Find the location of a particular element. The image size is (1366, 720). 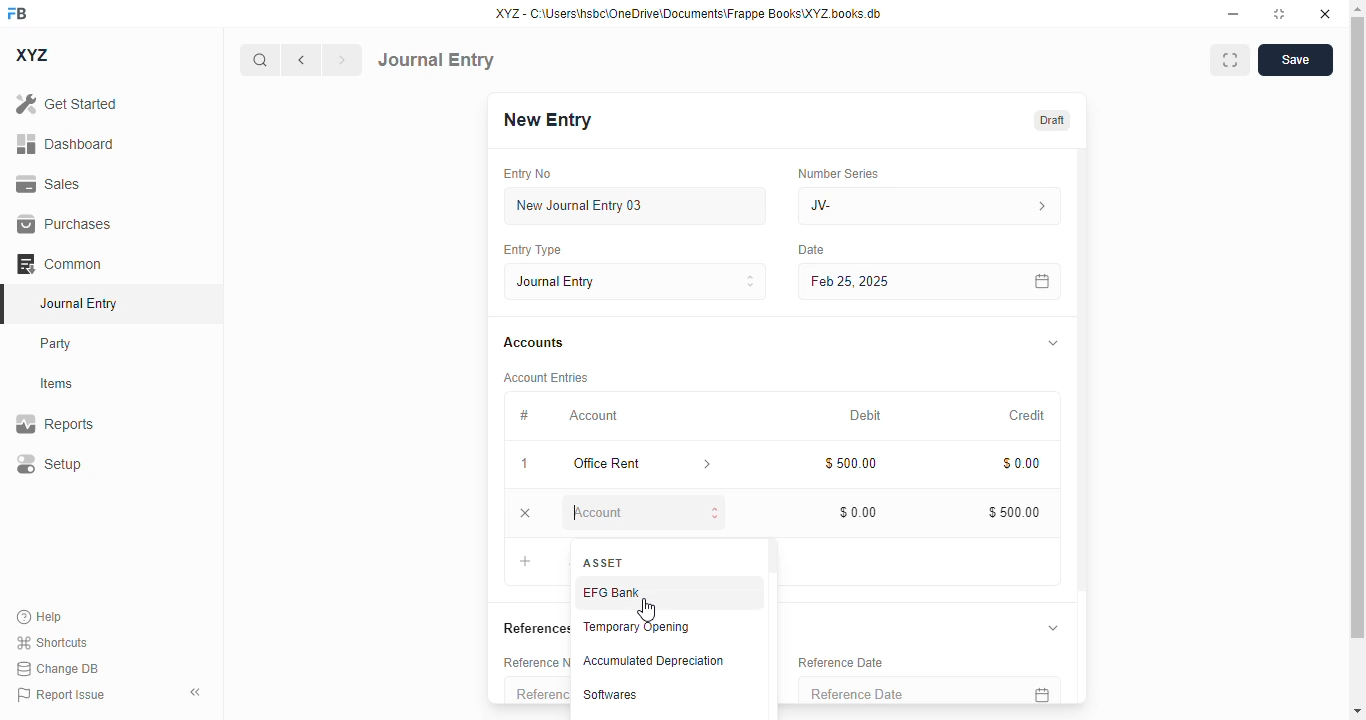

entry type is located at coordinates (536, 249).